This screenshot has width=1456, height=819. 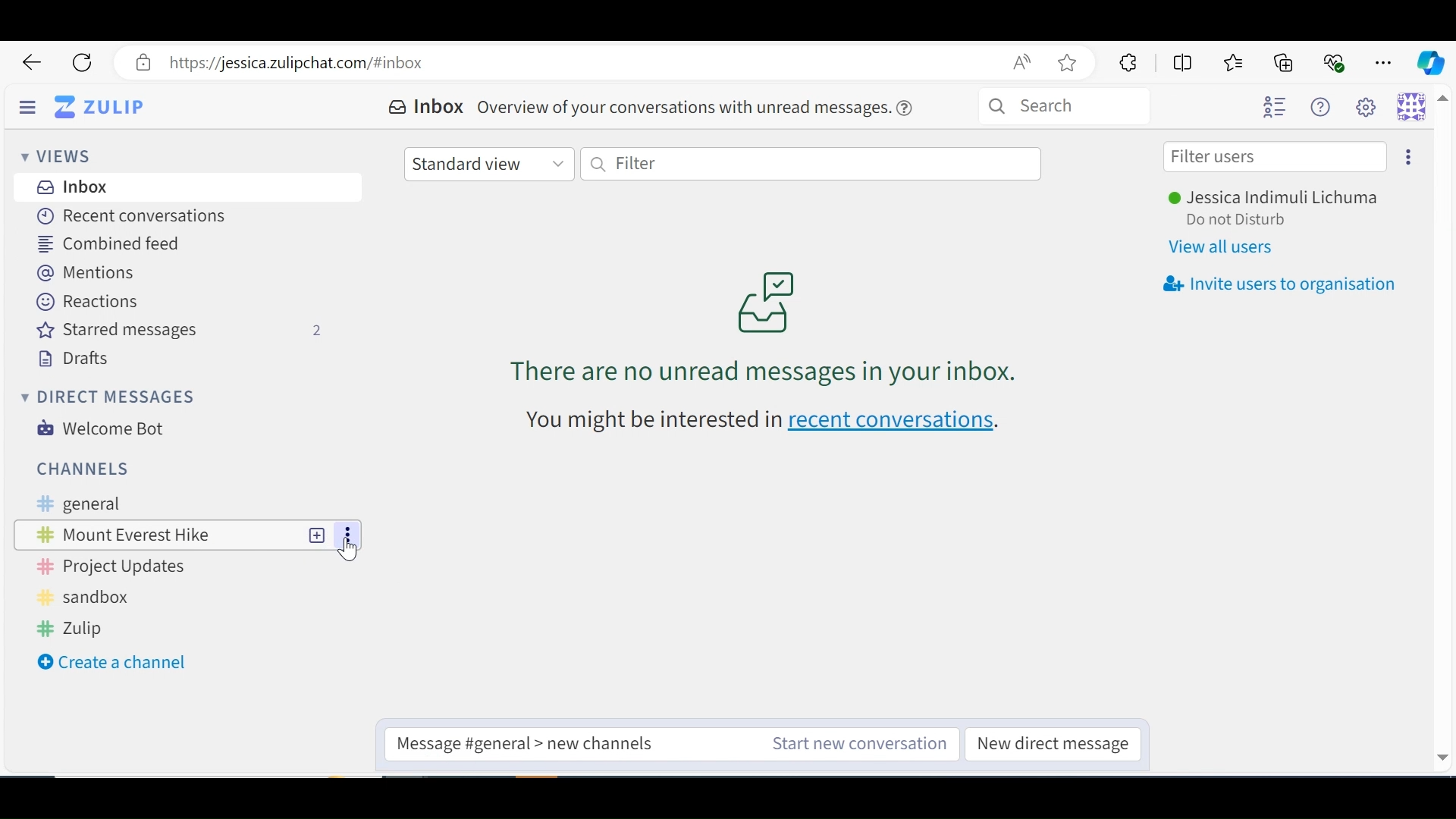 I want to click on View all users, so click(x=1225, y=247).